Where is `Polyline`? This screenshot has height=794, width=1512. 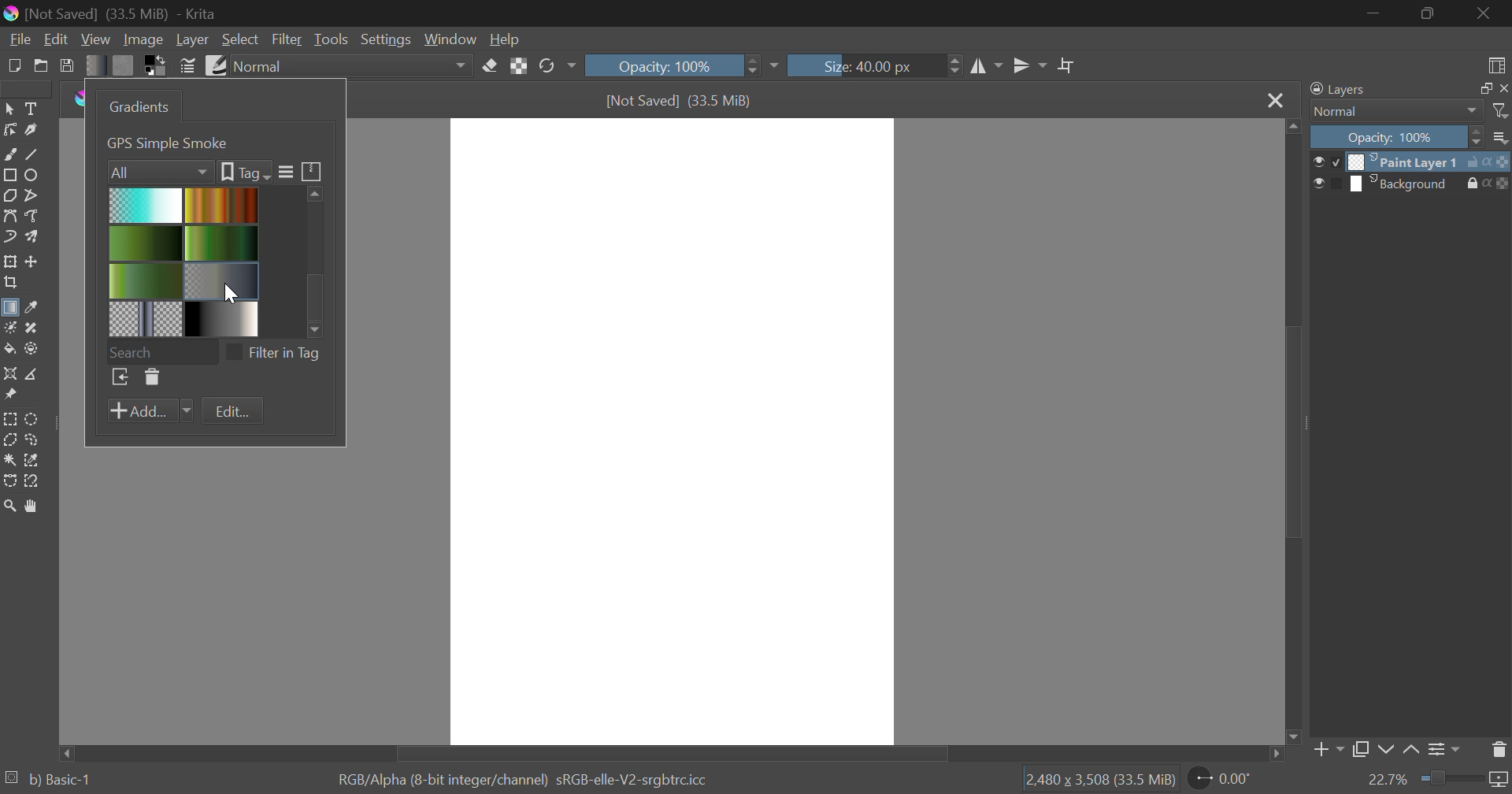
Polyline is located at coordinates (30, 194).